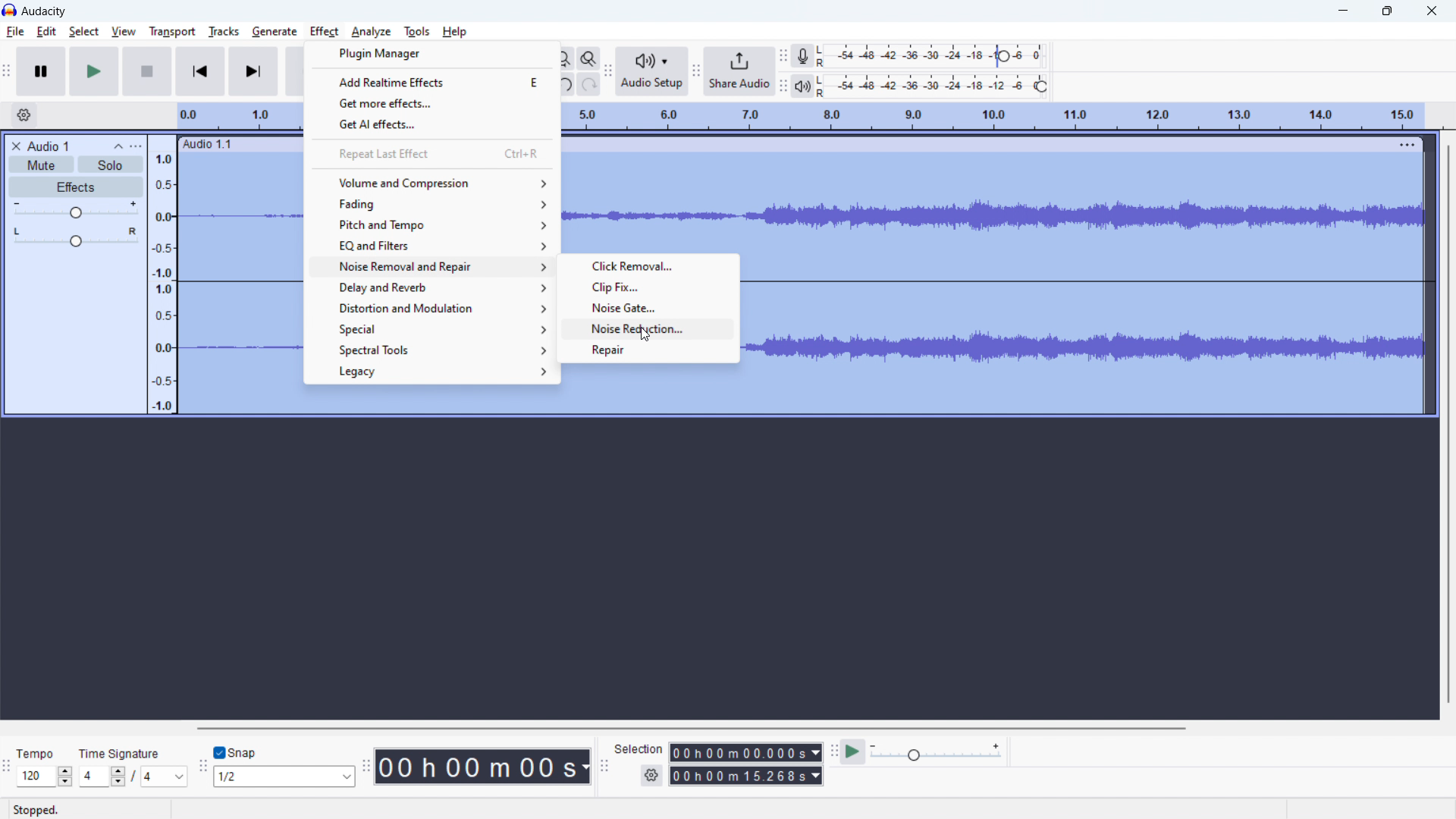 This screenshot has width=1456, height=819. Describe the element at coordinates (648, 352) in the screenshot. I see `repair` at that location.